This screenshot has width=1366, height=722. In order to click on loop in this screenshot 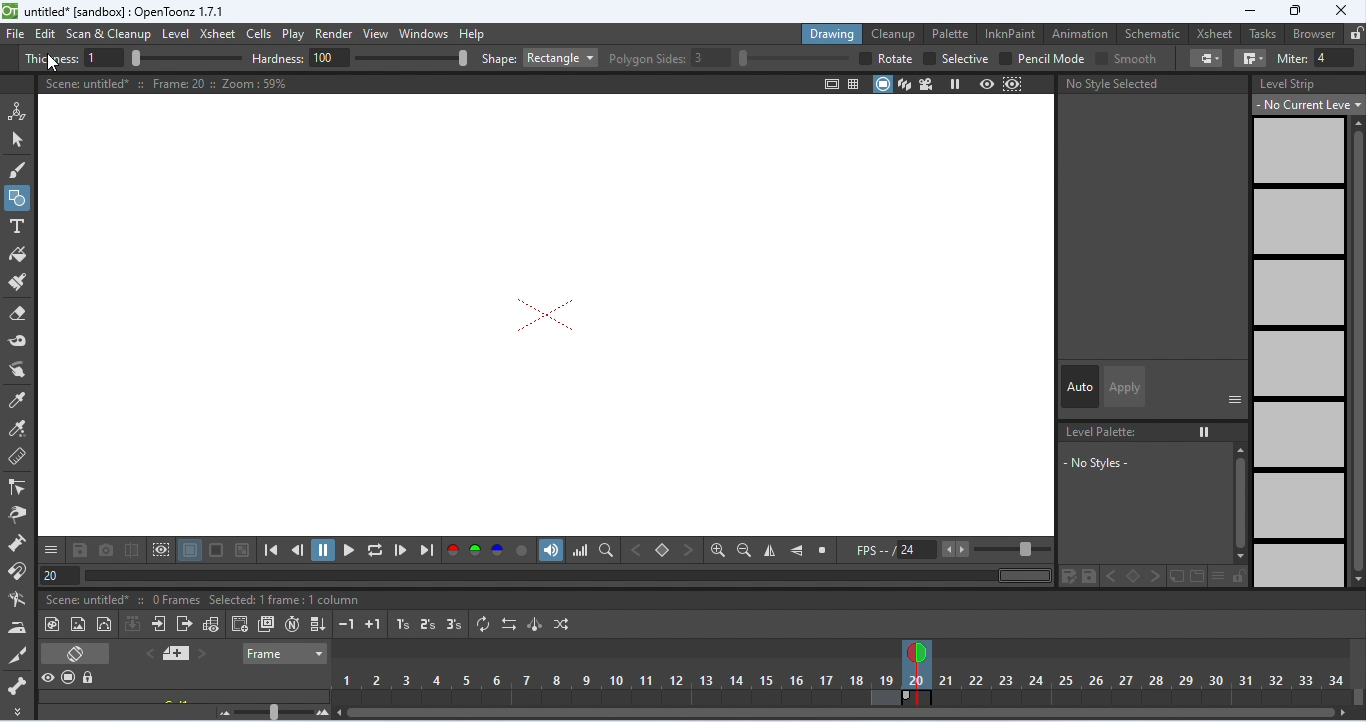, I will do `click(374, 549)`.